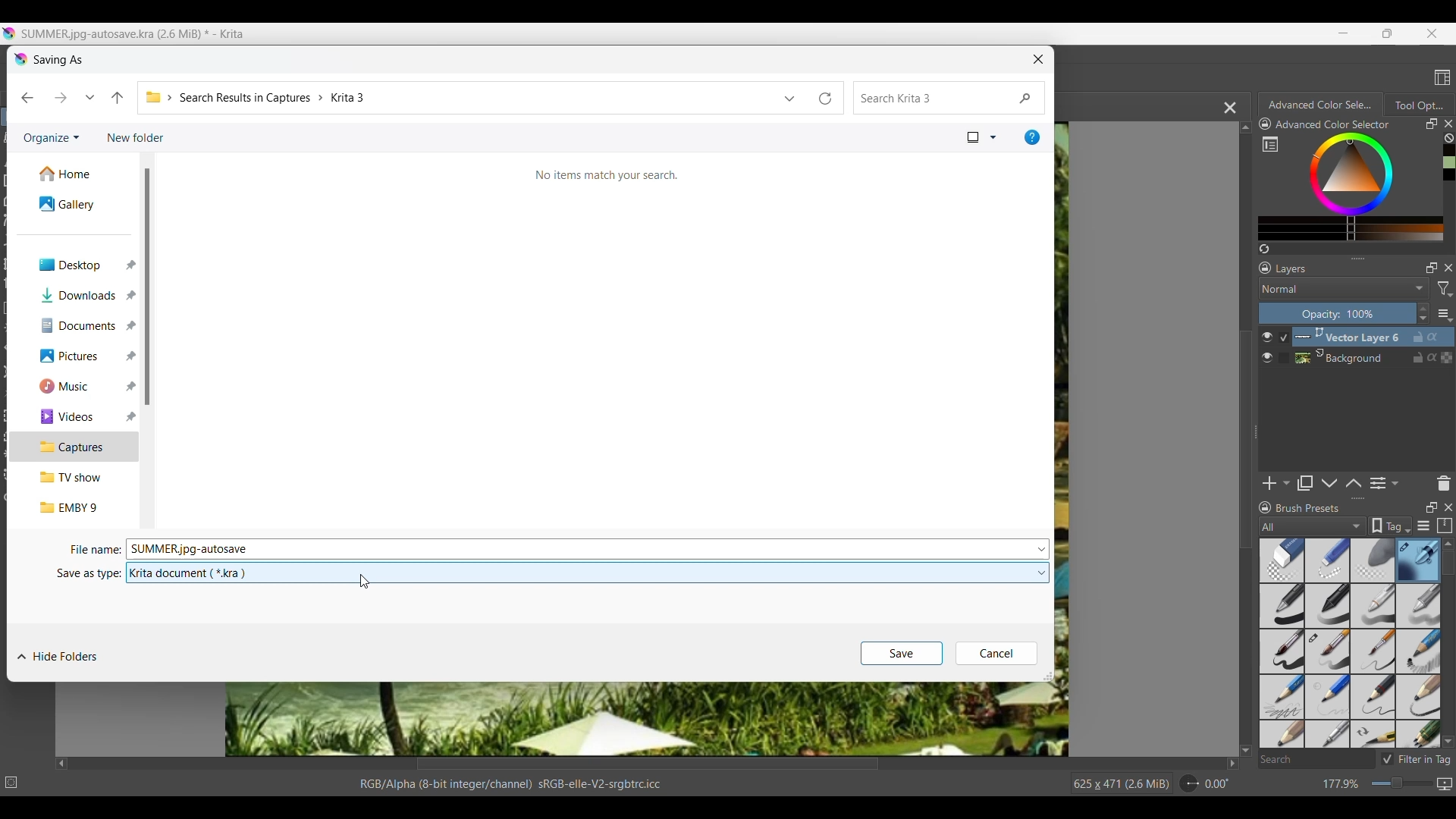 This screenshot has width=1456, height=819. Describe the element at coordinates (789, 98) in the screenshot. I see `List current folders` at that location.